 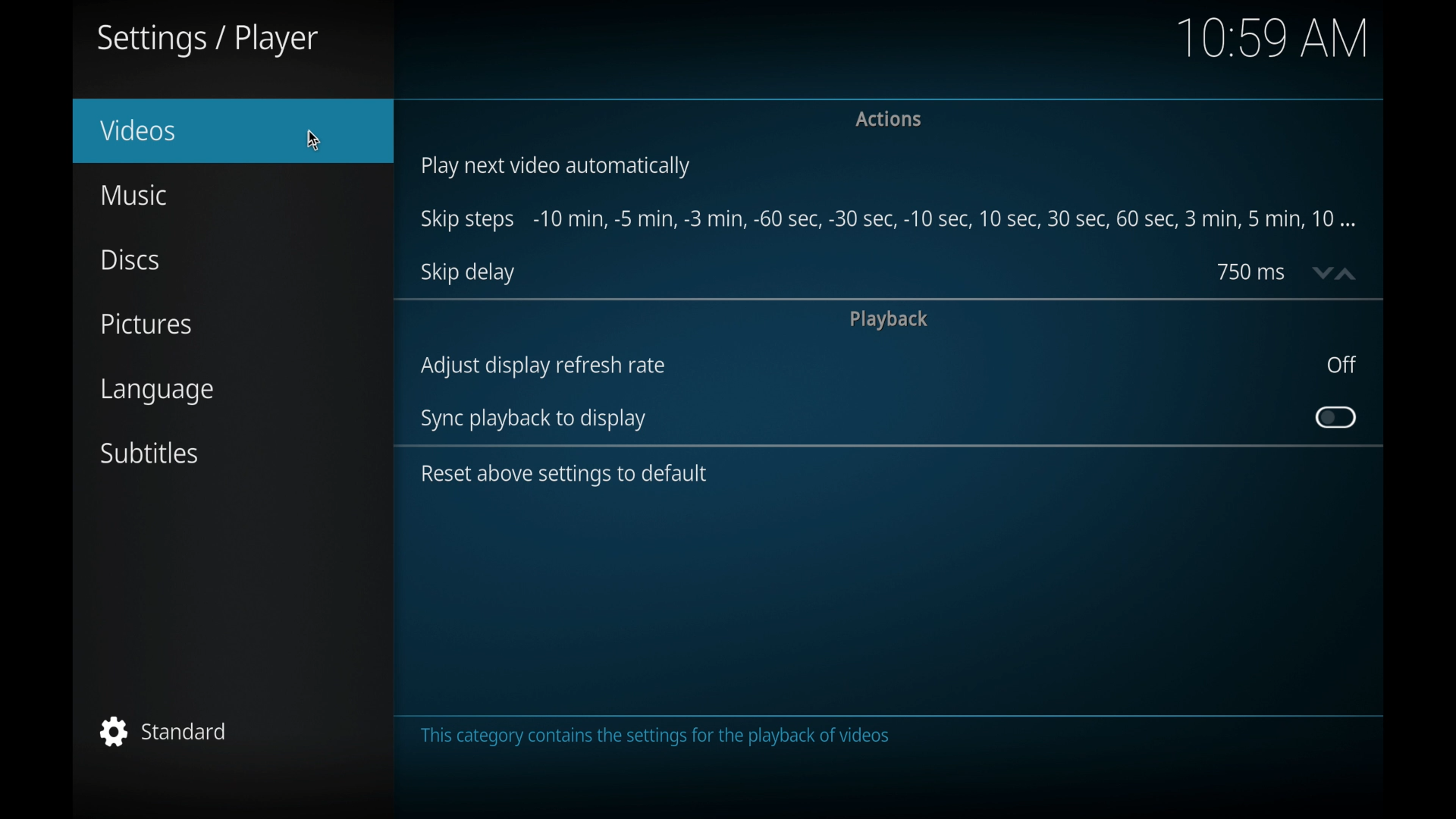 What do you see at coordinates (1250, 272) in the screenshot?
I see `750 ms` at bounding box center [1250, 272].